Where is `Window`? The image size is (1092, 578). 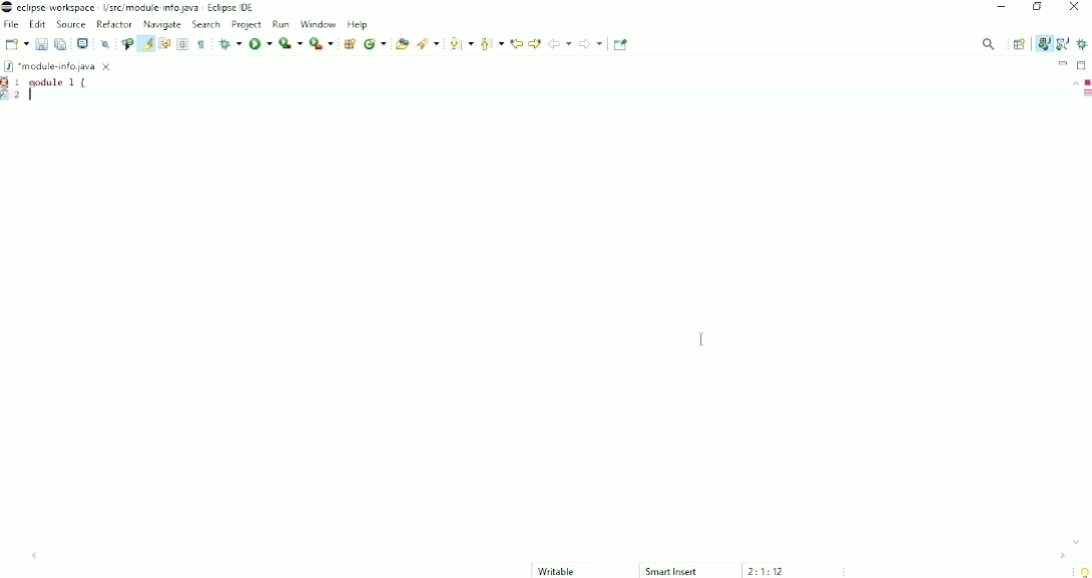
Window is located at coordinates (319, 23).